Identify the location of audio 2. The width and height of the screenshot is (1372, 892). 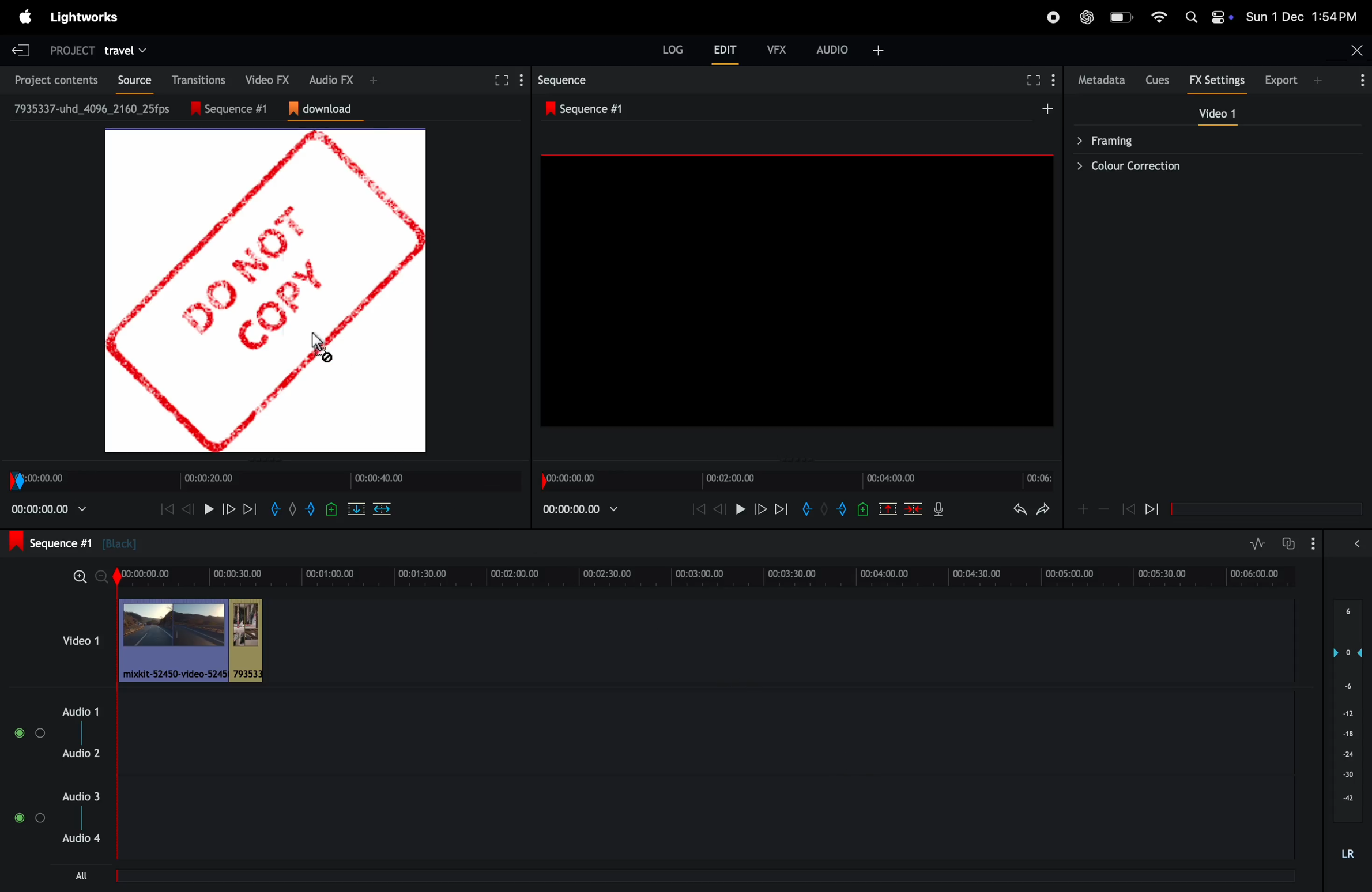
(81, 753).